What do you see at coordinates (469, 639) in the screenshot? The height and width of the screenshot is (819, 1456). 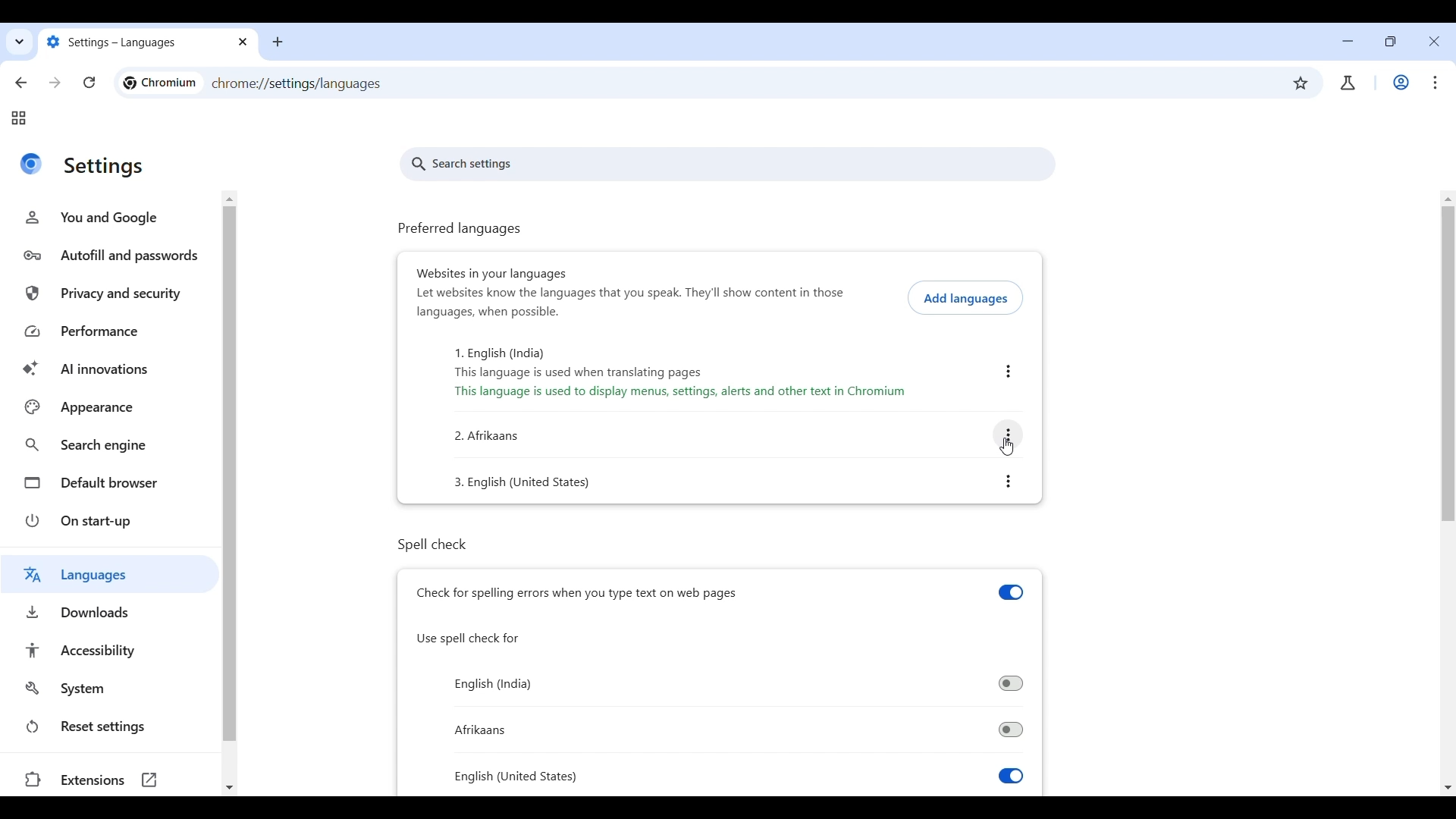 I see `use spell check for` at bounding box center [469, 639].